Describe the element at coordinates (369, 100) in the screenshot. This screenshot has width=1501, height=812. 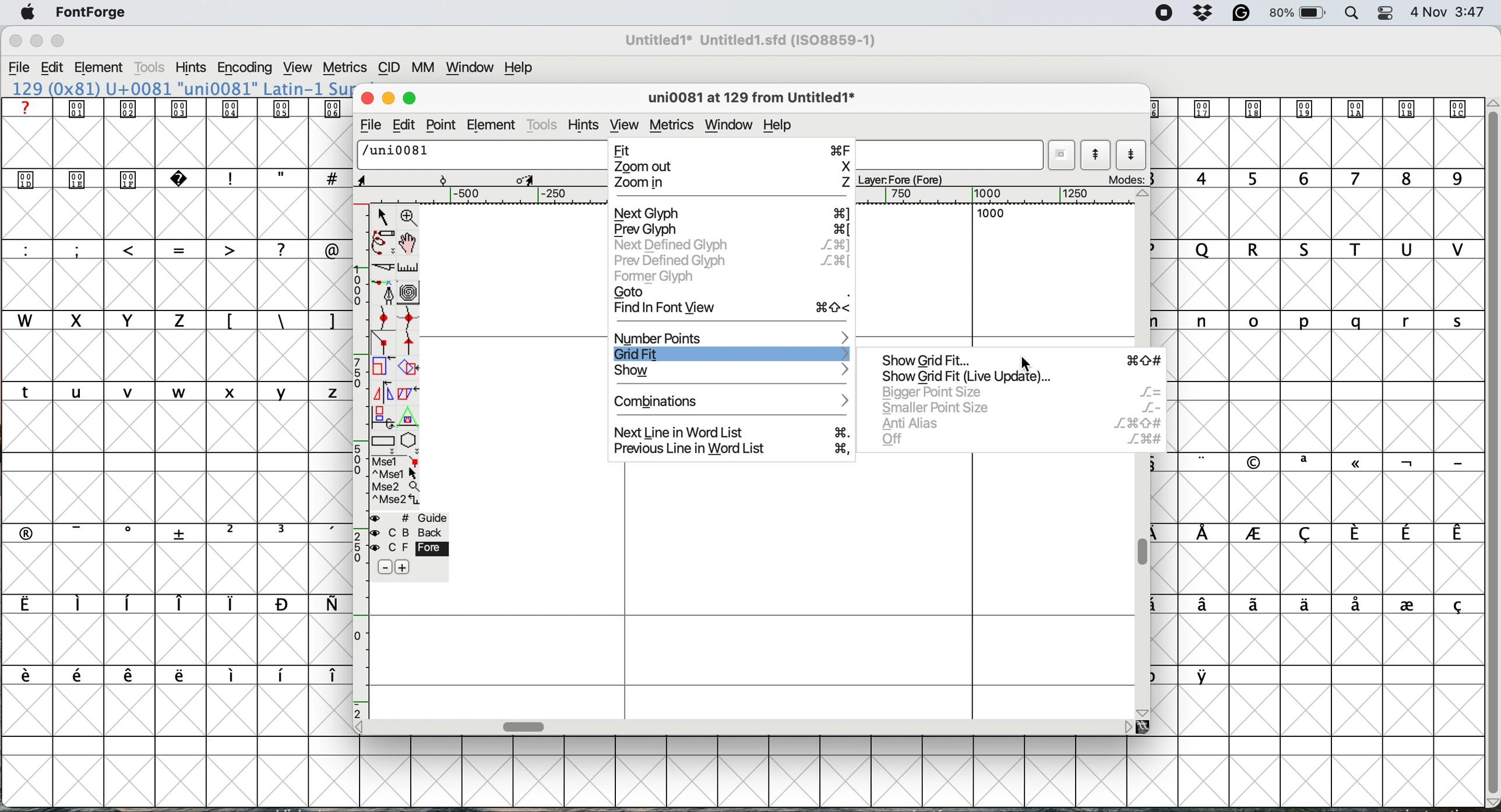
I see `close` at that location.